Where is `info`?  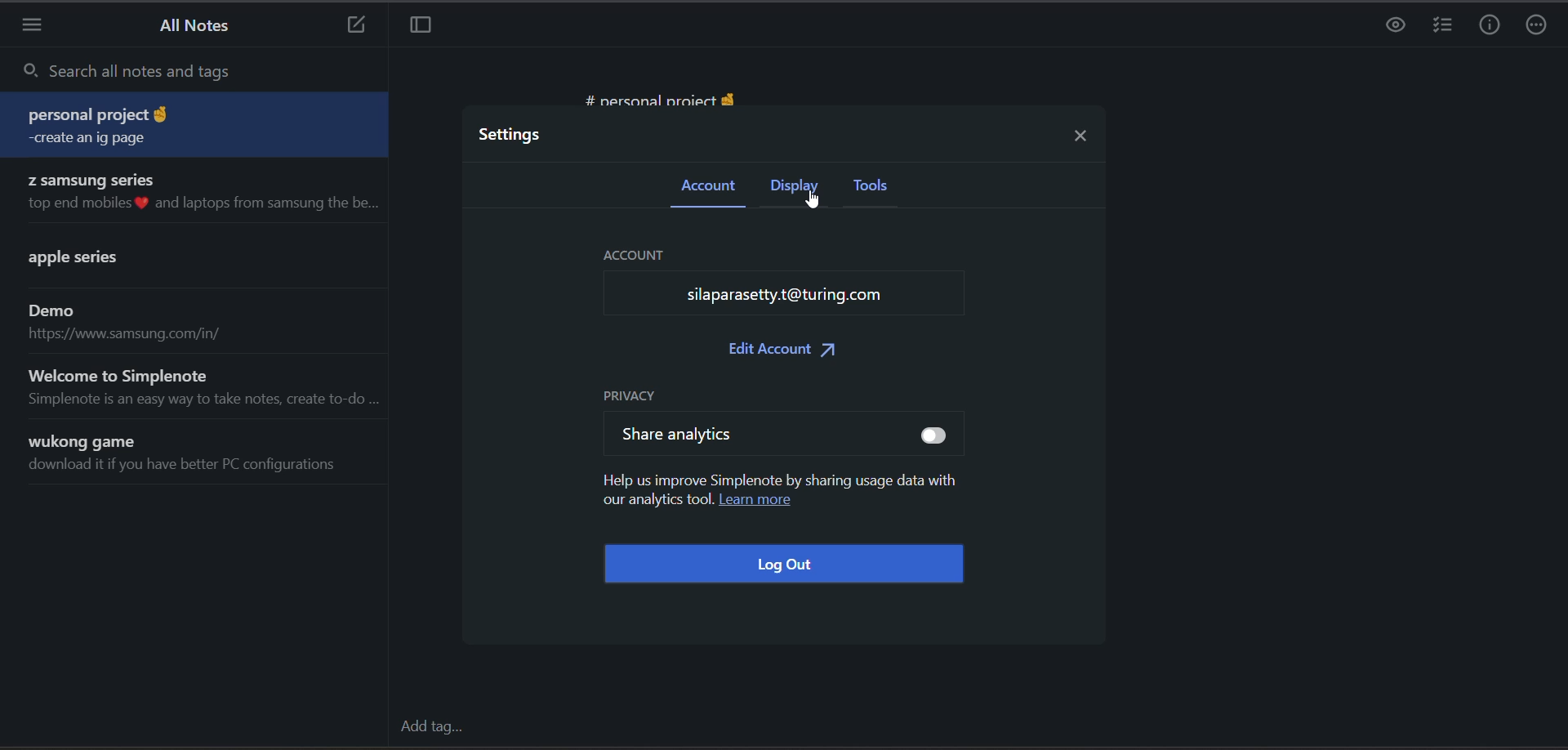
info is located at coordinates (1492, 28).